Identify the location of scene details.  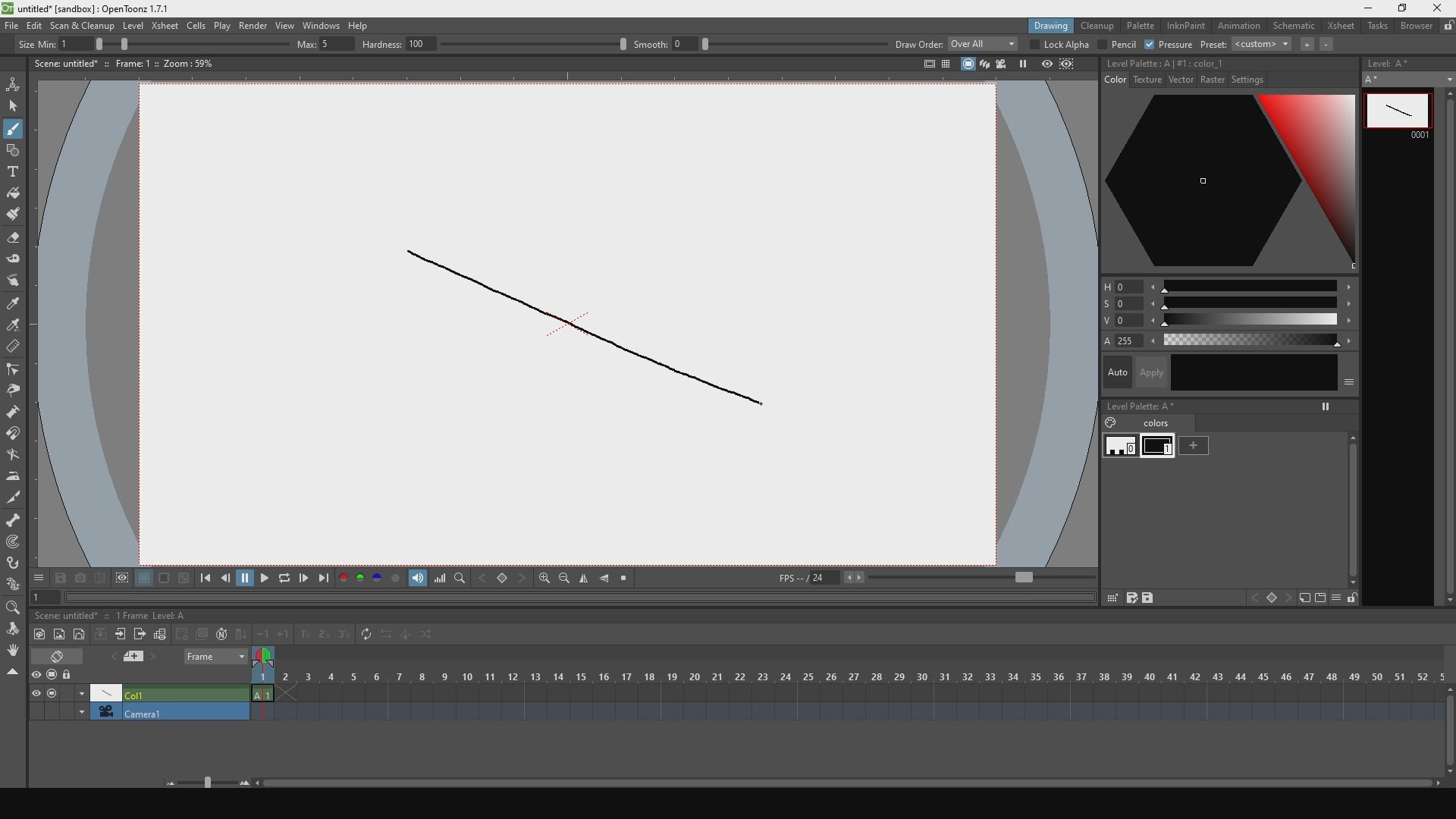
(133, 64).